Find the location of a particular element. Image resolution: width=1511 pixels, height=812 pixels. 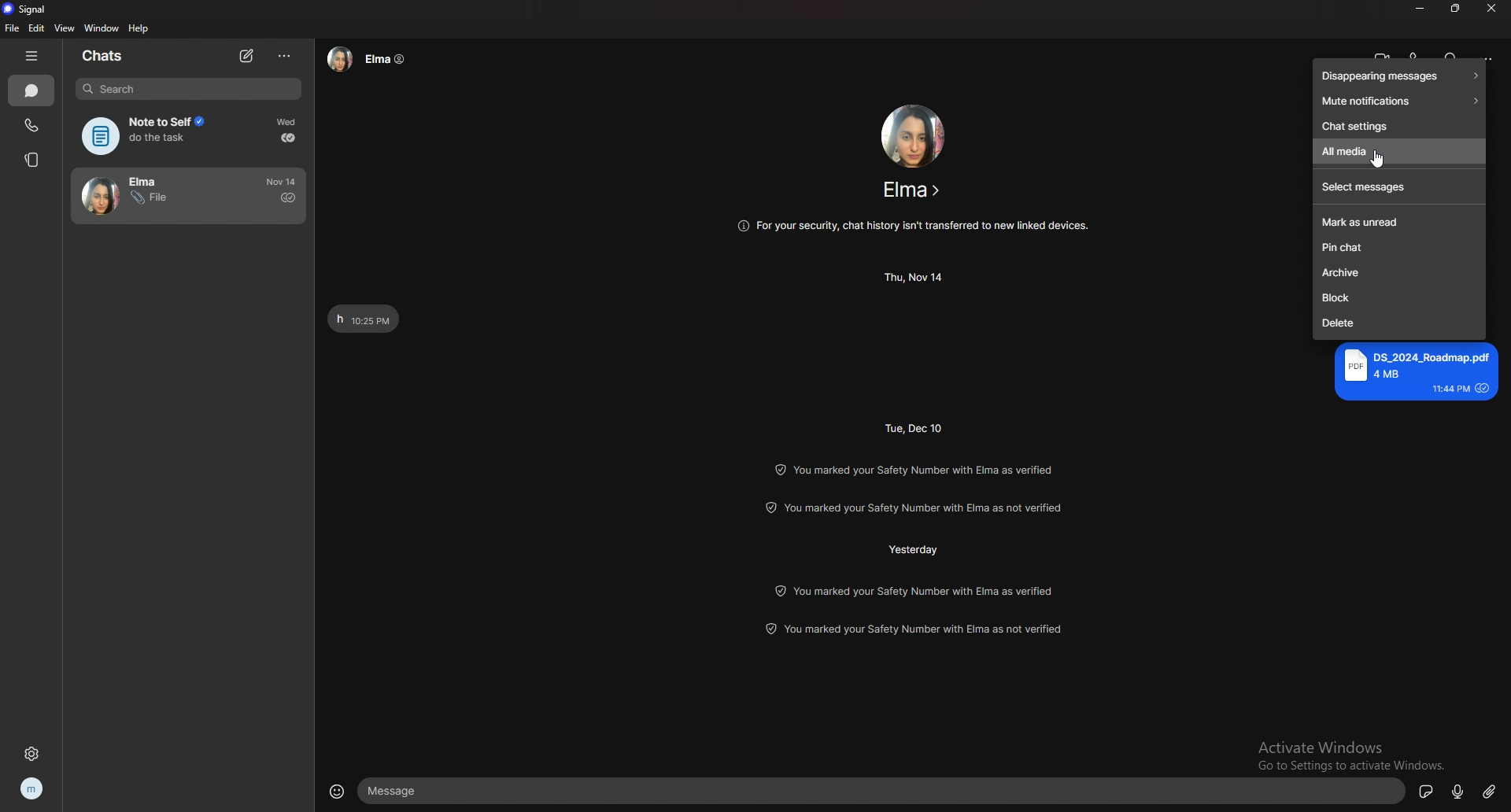

signal is located at coordinates (33, 8).